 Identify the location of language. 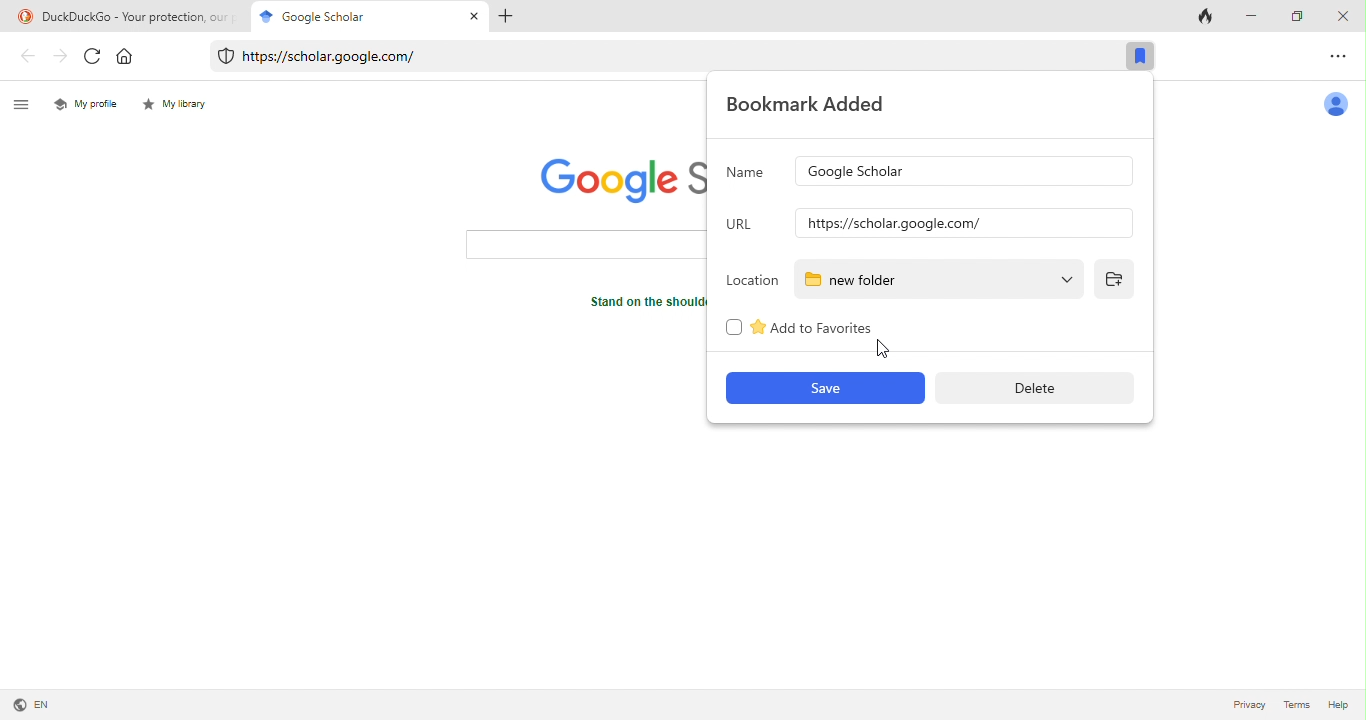
(32, 704).